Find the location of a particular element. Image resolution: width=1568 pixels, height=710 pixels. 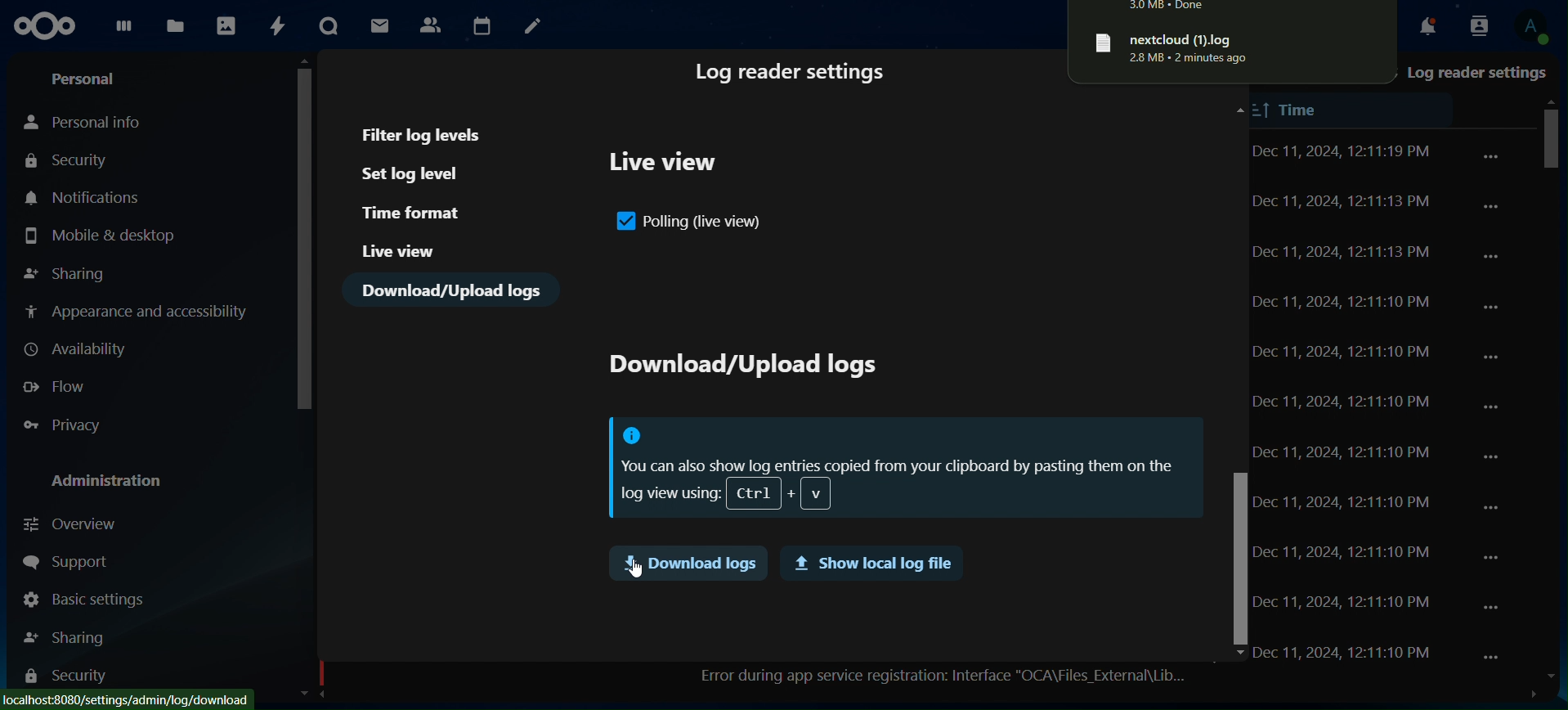

shaing is located at coordinates (67, 634).